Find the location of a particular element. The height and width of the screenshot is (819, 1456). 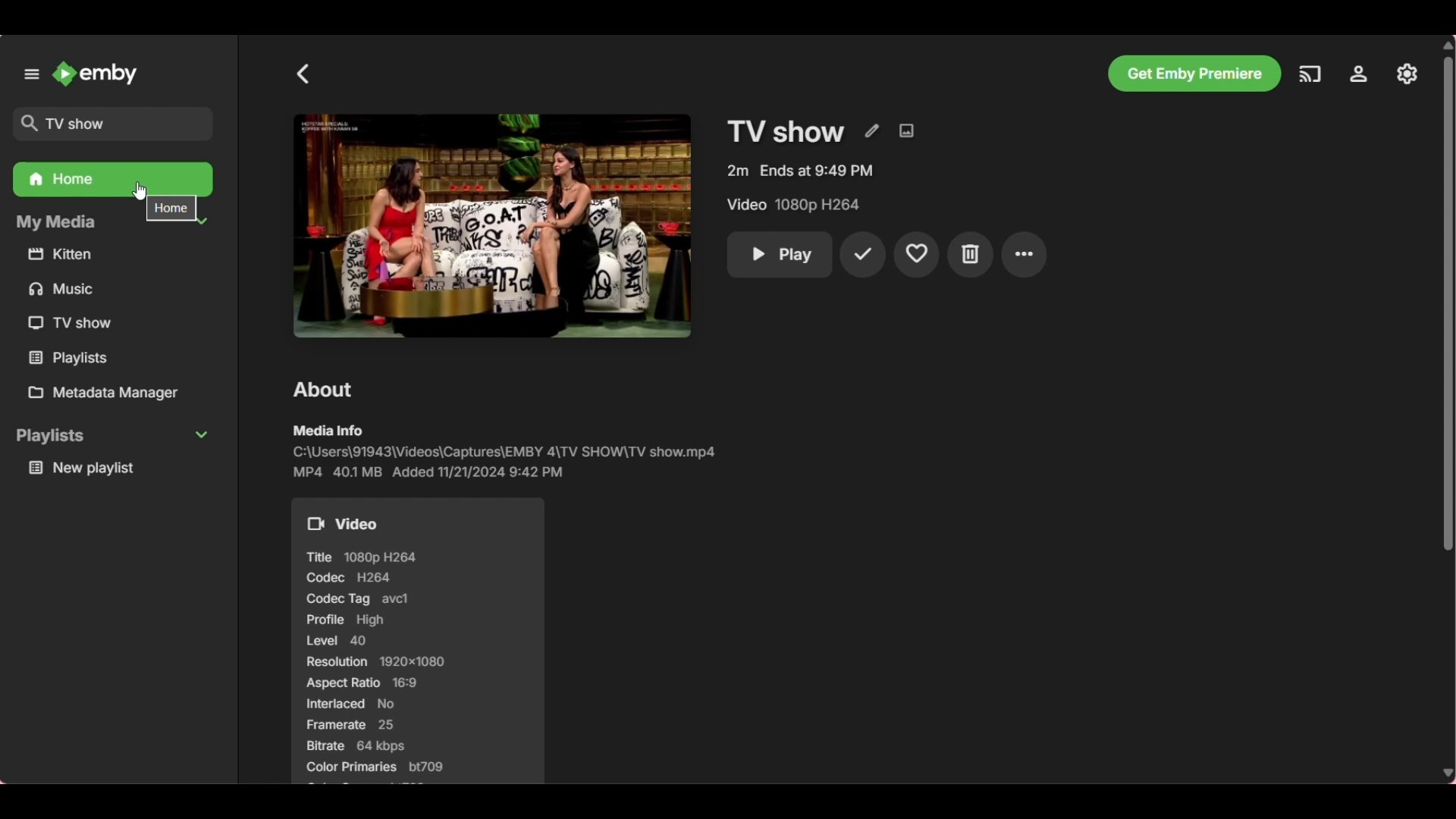

Metadata manager  is located at coordinates (117, 393).